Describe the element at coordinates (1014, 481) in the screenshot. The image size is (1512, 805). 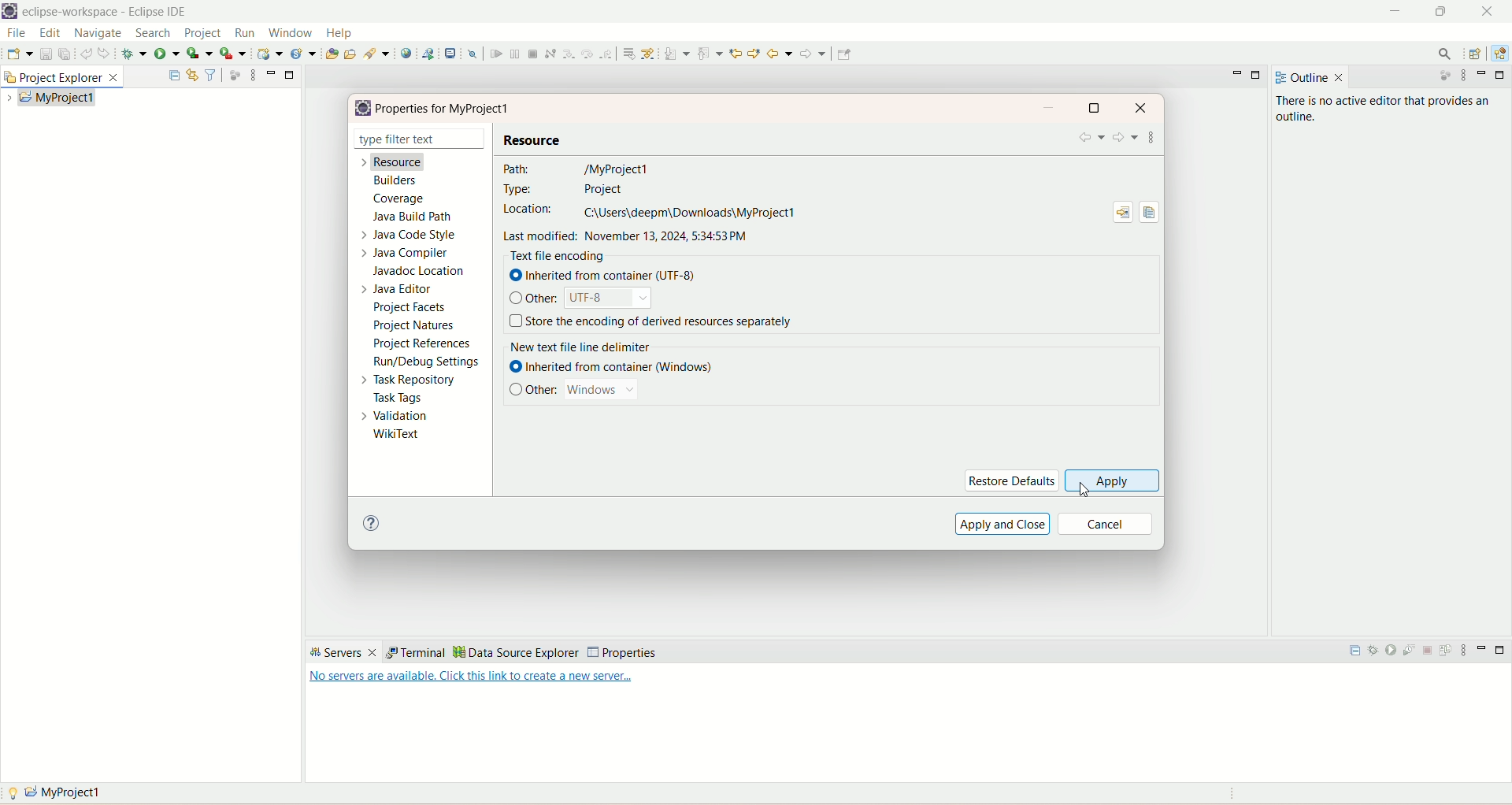
I see `restore defaults` at that location.